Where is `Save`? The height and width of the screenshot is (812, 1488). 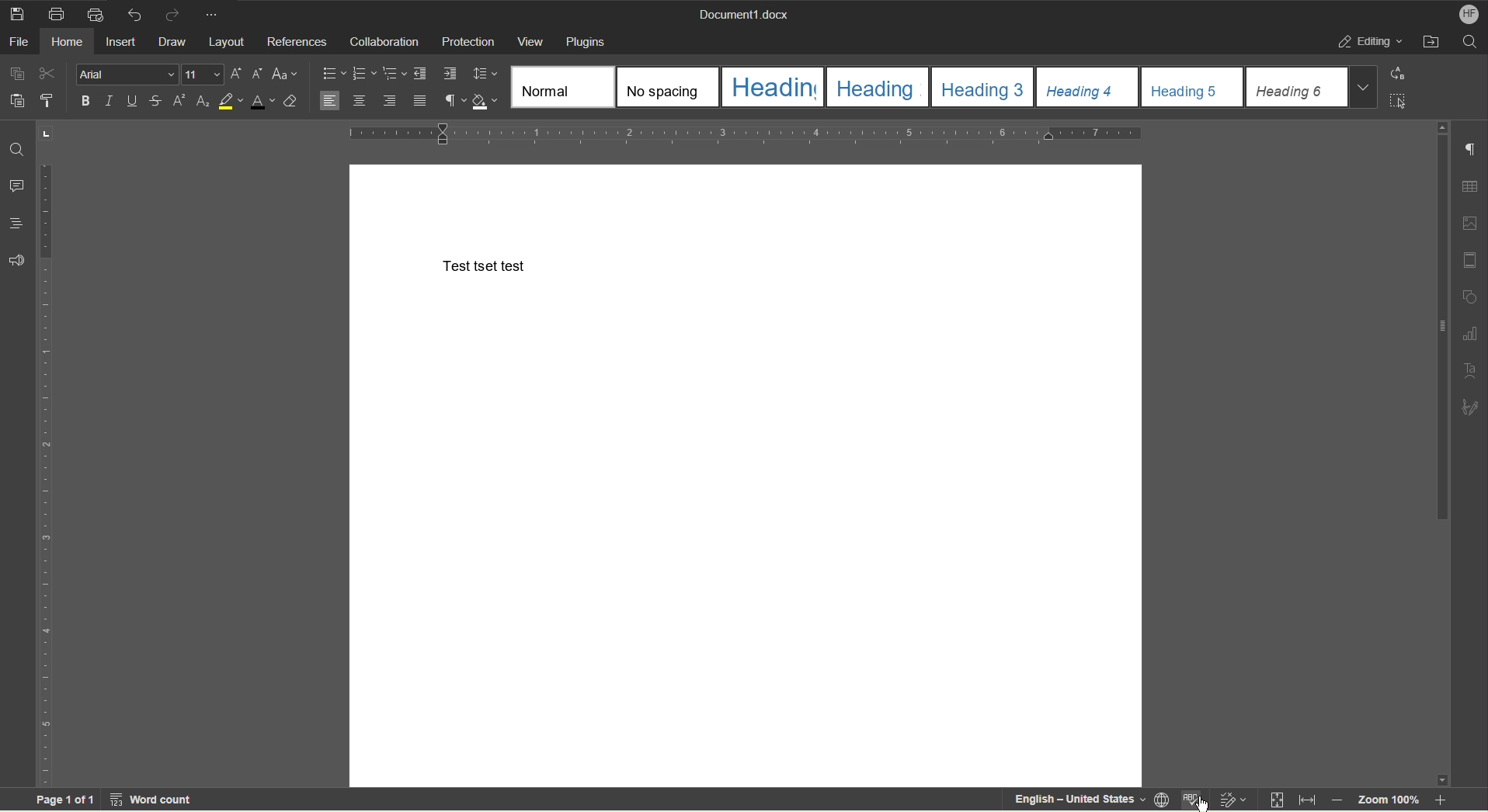 Save is located at coordinates (16, 12).